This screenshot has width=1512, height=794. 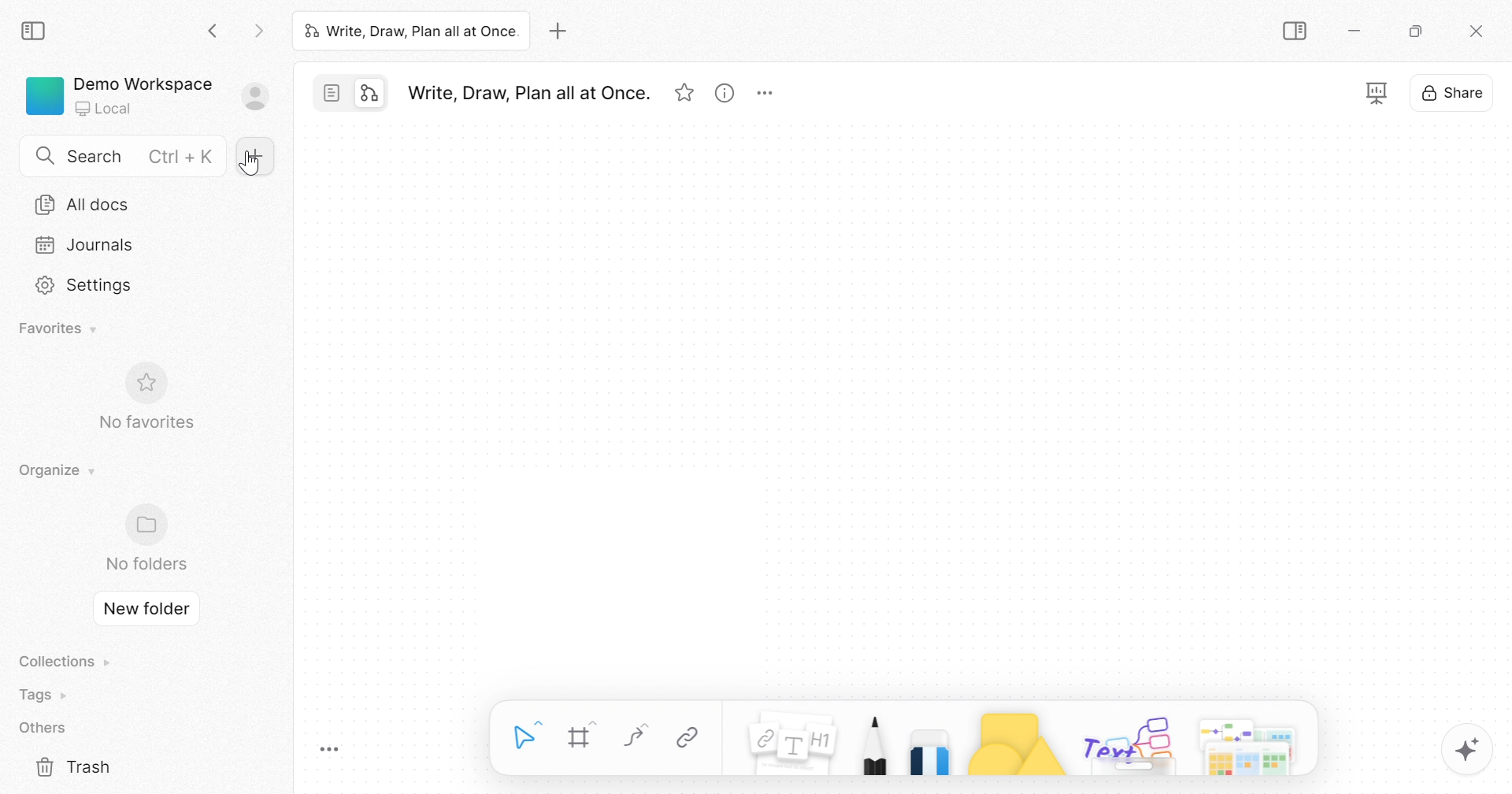 What do you see at coordinates (1477, 32) in the screenshot?
I see `Close` at bounding box center [1477, 32].